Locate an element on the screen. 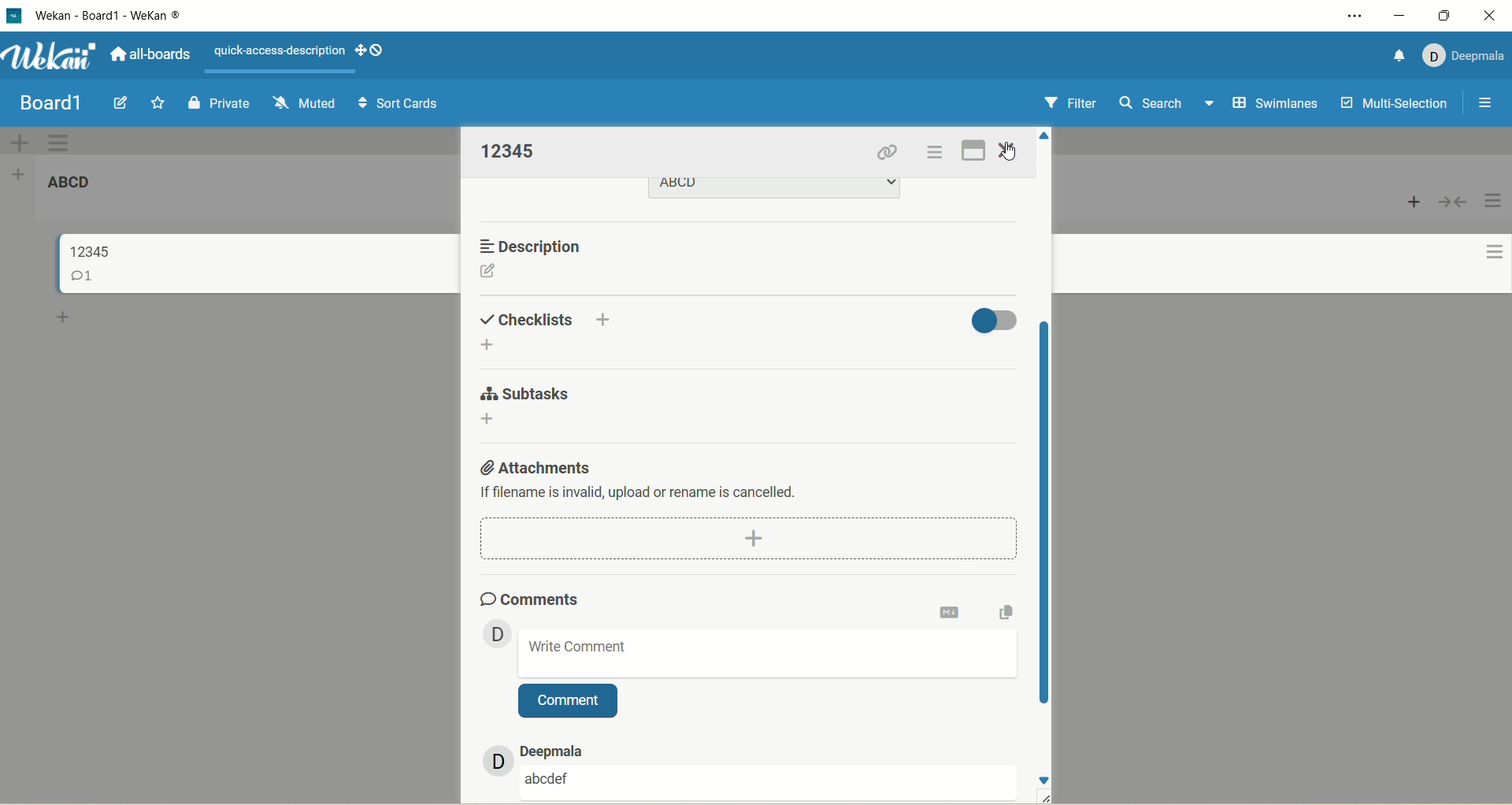 The image size is (1512, 805). add is located at coordinates (492, 346).